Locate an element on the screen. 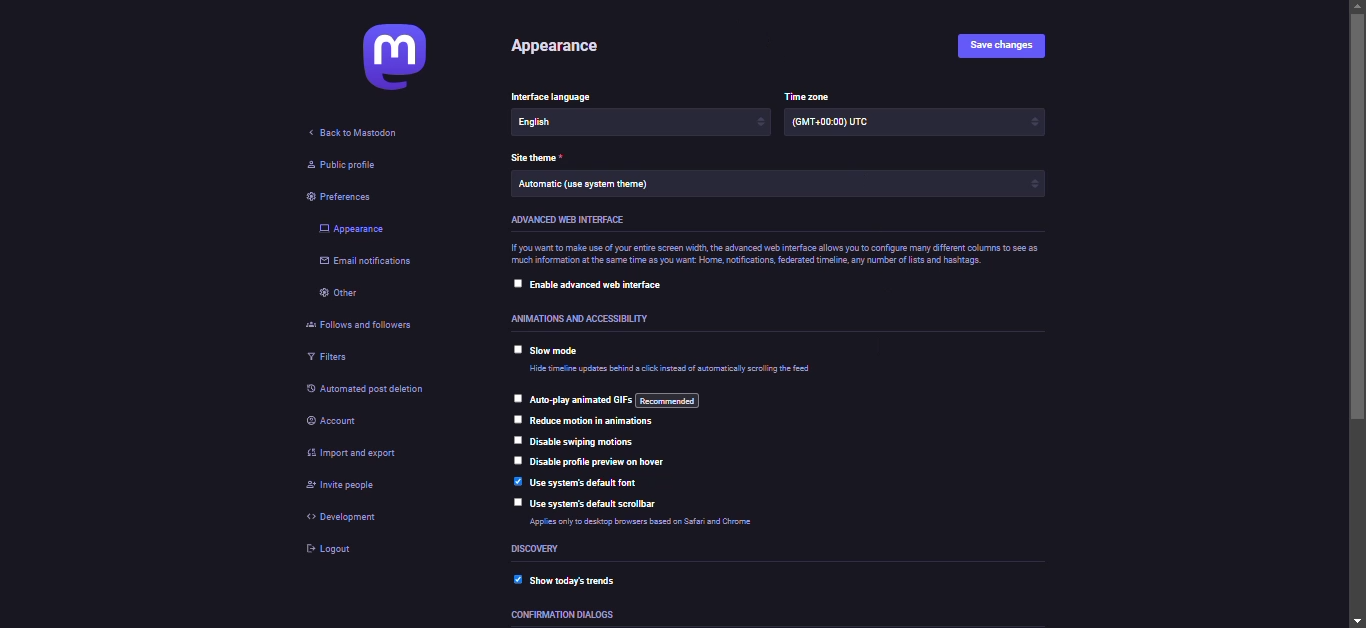 The height and width of the screenshot is (628, 1366). enable advanced web interface is located at coordinates (603, 286).